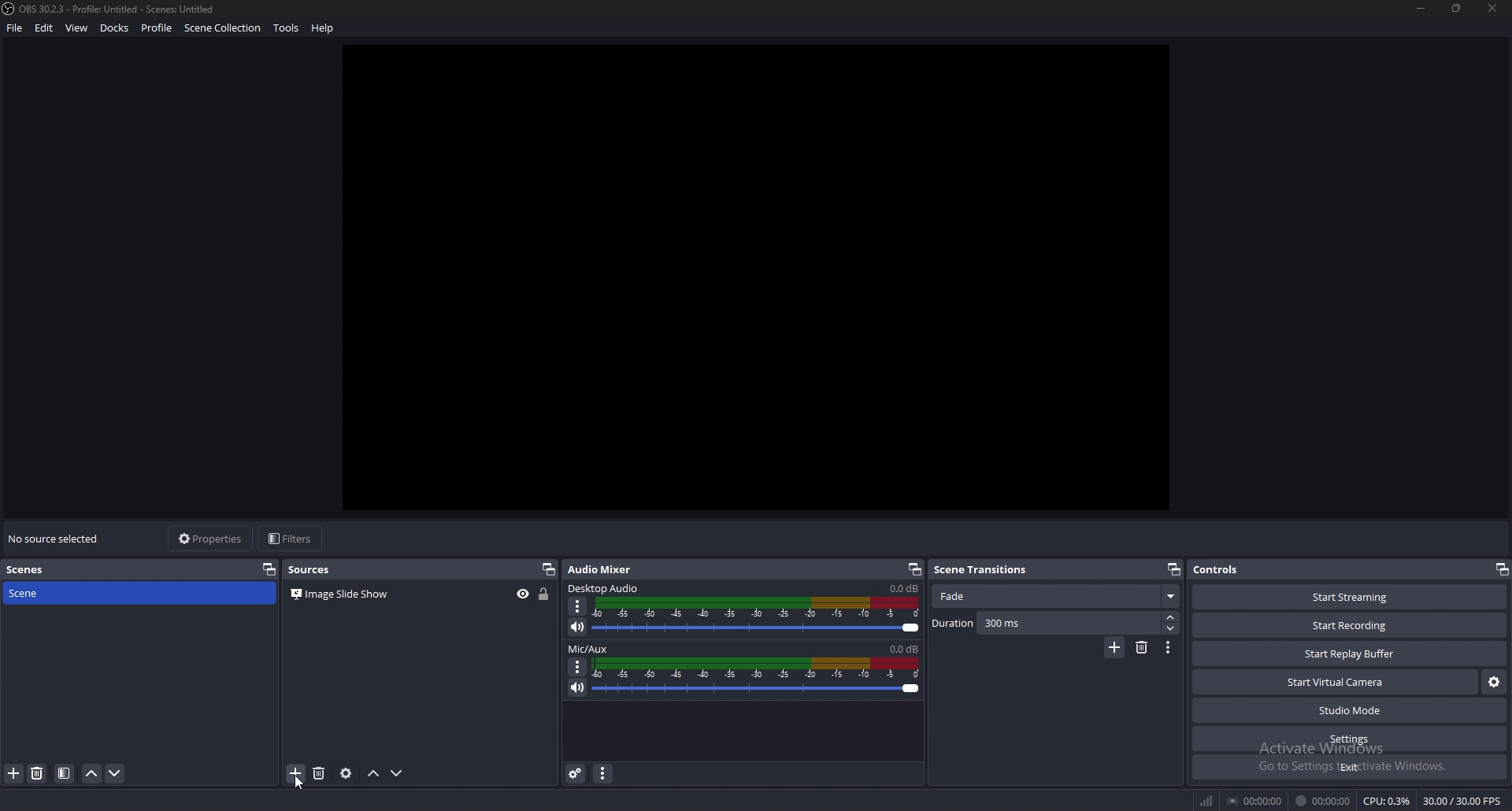 This screenshot has width=1512, height=811. Describe the element at coordinates (914, 569) in the screenshot. I see `pop out` at that location.